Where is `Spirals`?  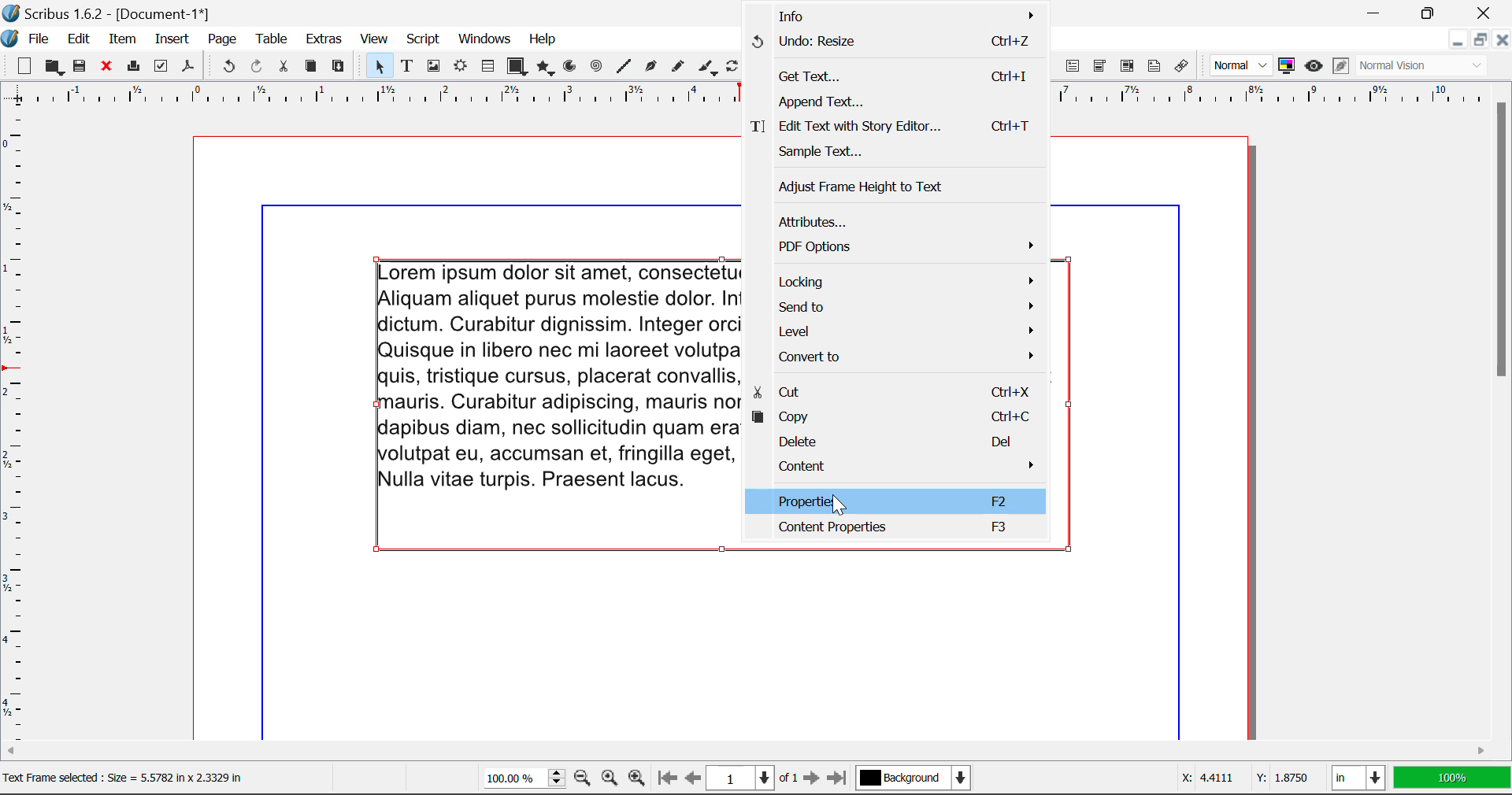
Spirals is located at coordinates (595, 68).